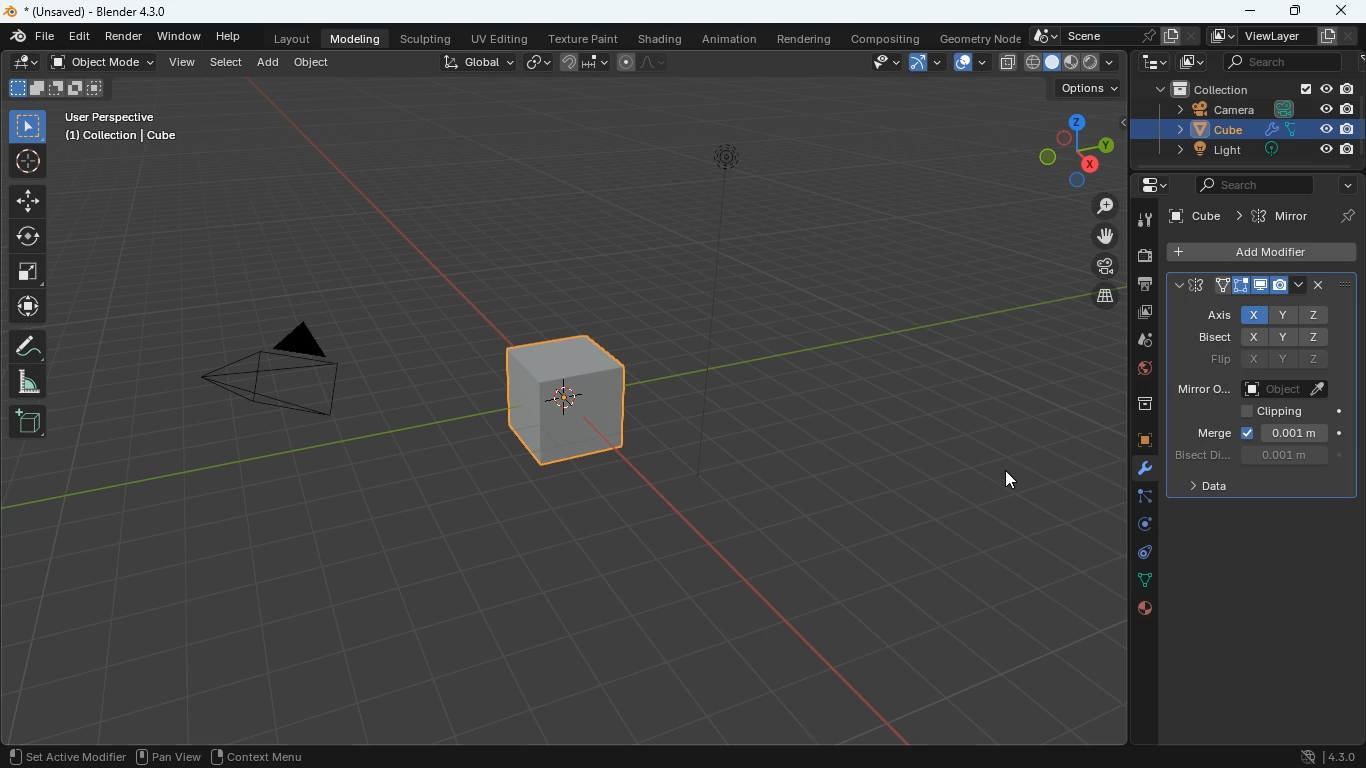 This screenshot has width=1366, height=768. What do you see at coordinates (27, 422) in the screenshot?
I see `add` at bounding box center [27, 422].